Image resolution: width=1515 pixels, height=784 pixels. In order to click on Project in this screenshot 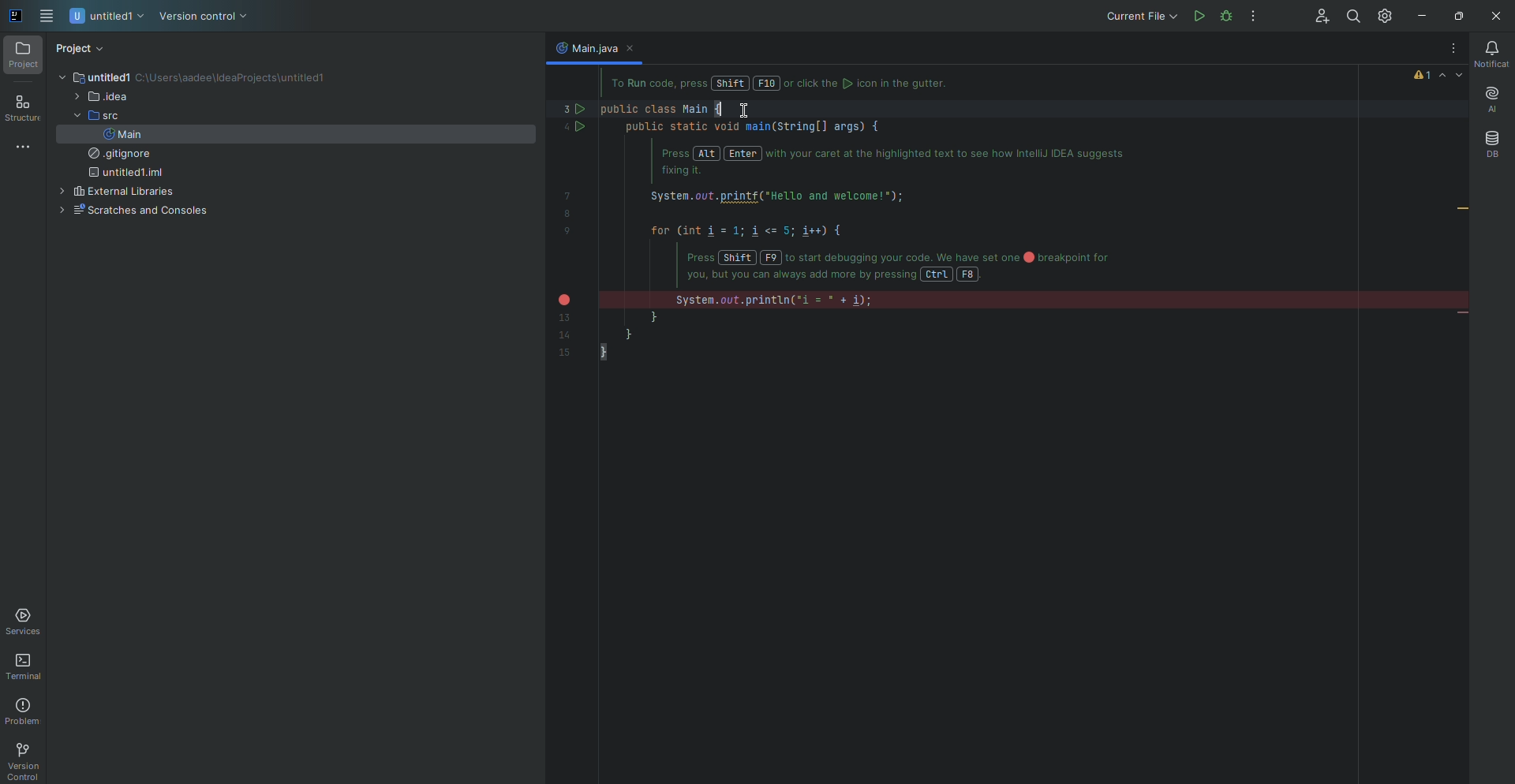, I will do `click(81, 49)`.